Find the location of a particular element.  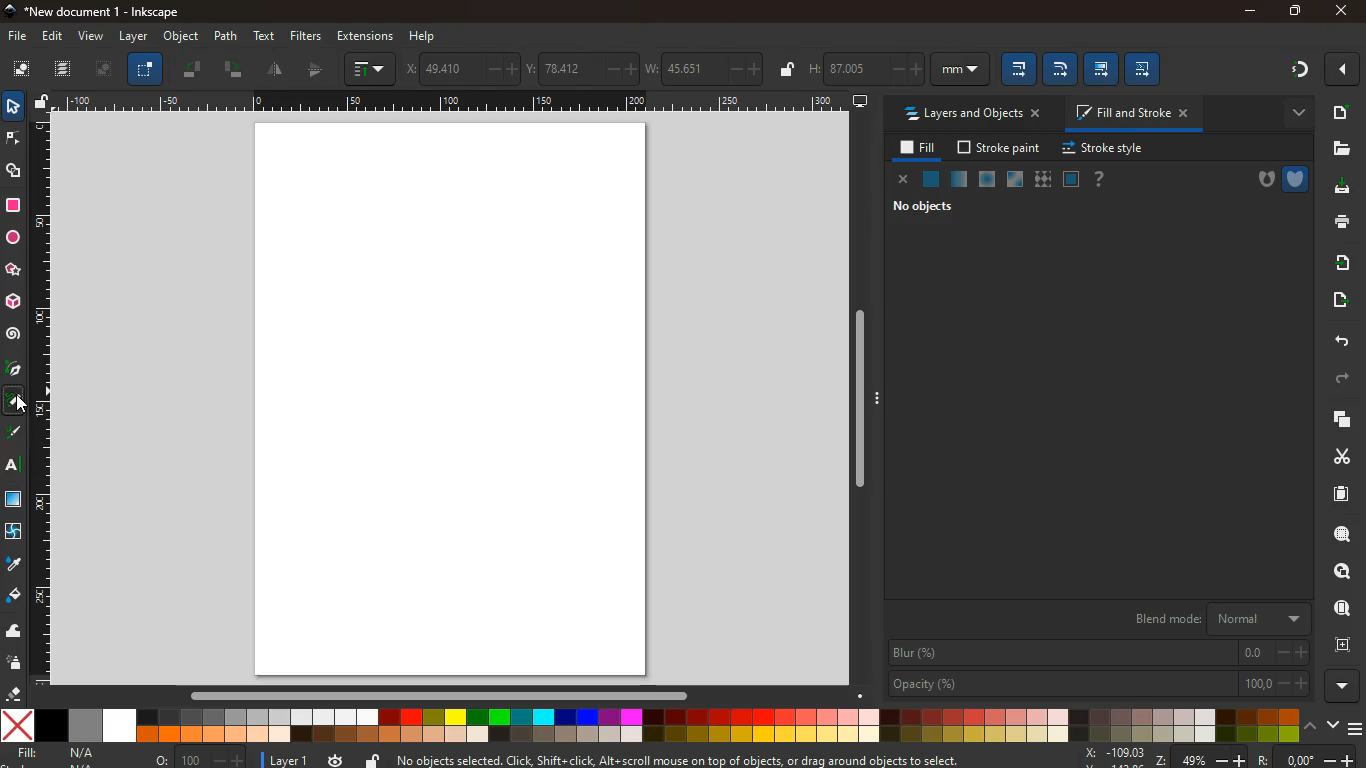

opacity is located at coordinates (988, 180).